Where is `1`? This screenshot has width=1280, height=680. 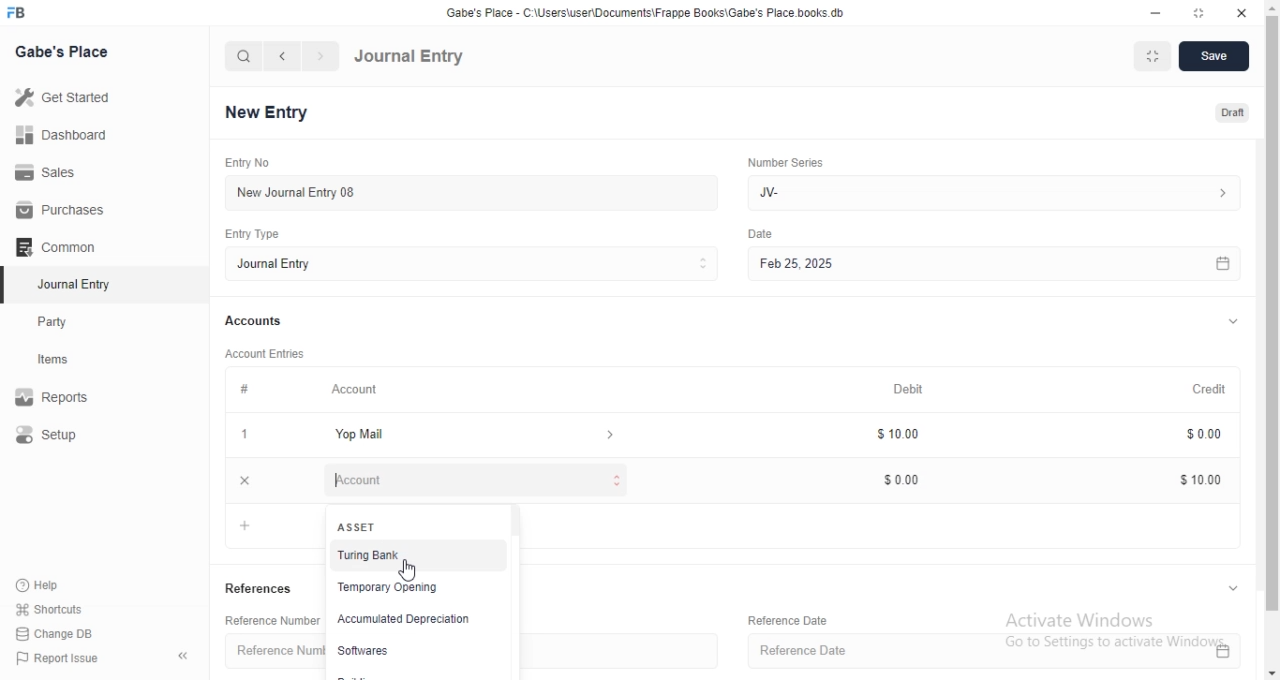
1 is located at coordinates (245, 435).